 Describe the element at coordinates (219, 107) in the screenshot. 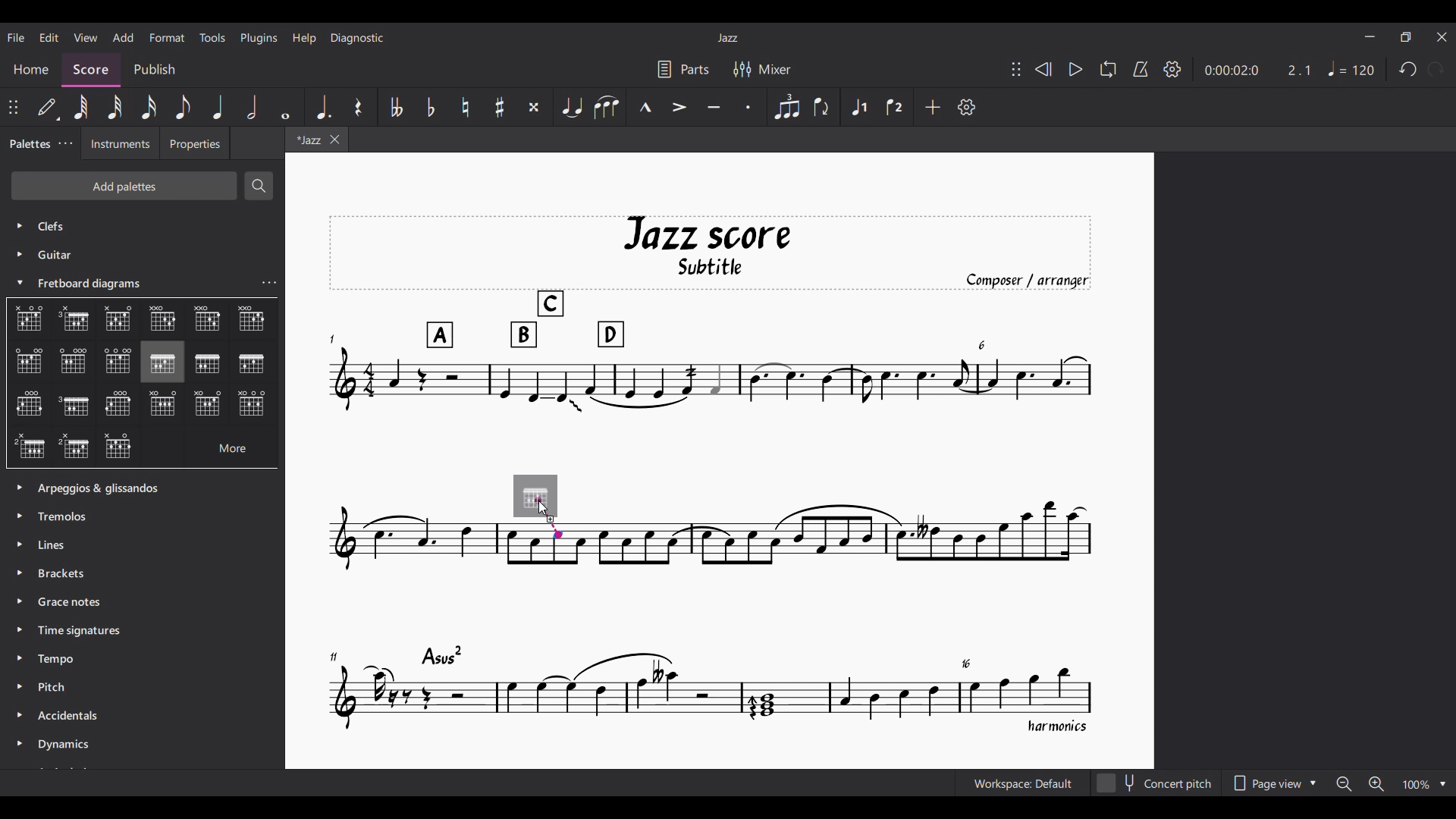

I see `Quarter note` at that location.